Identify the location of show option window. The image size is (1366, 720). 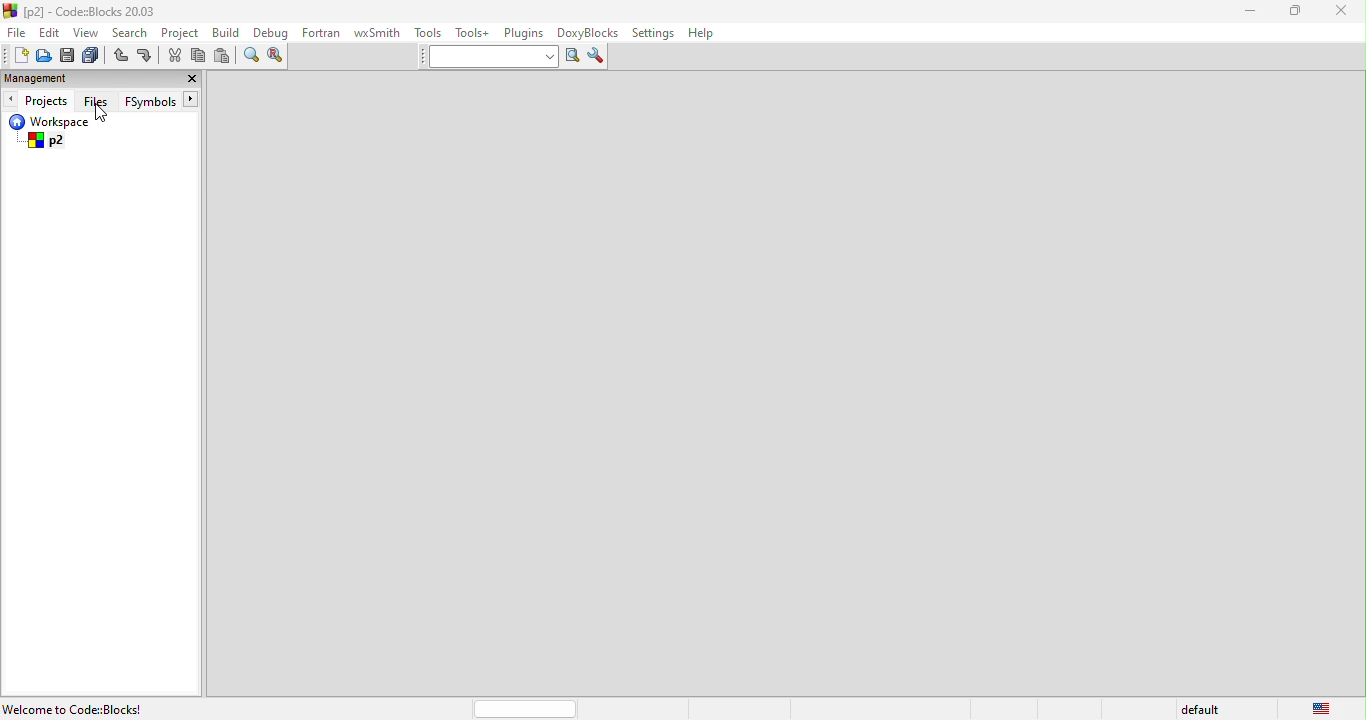
(597, 55).